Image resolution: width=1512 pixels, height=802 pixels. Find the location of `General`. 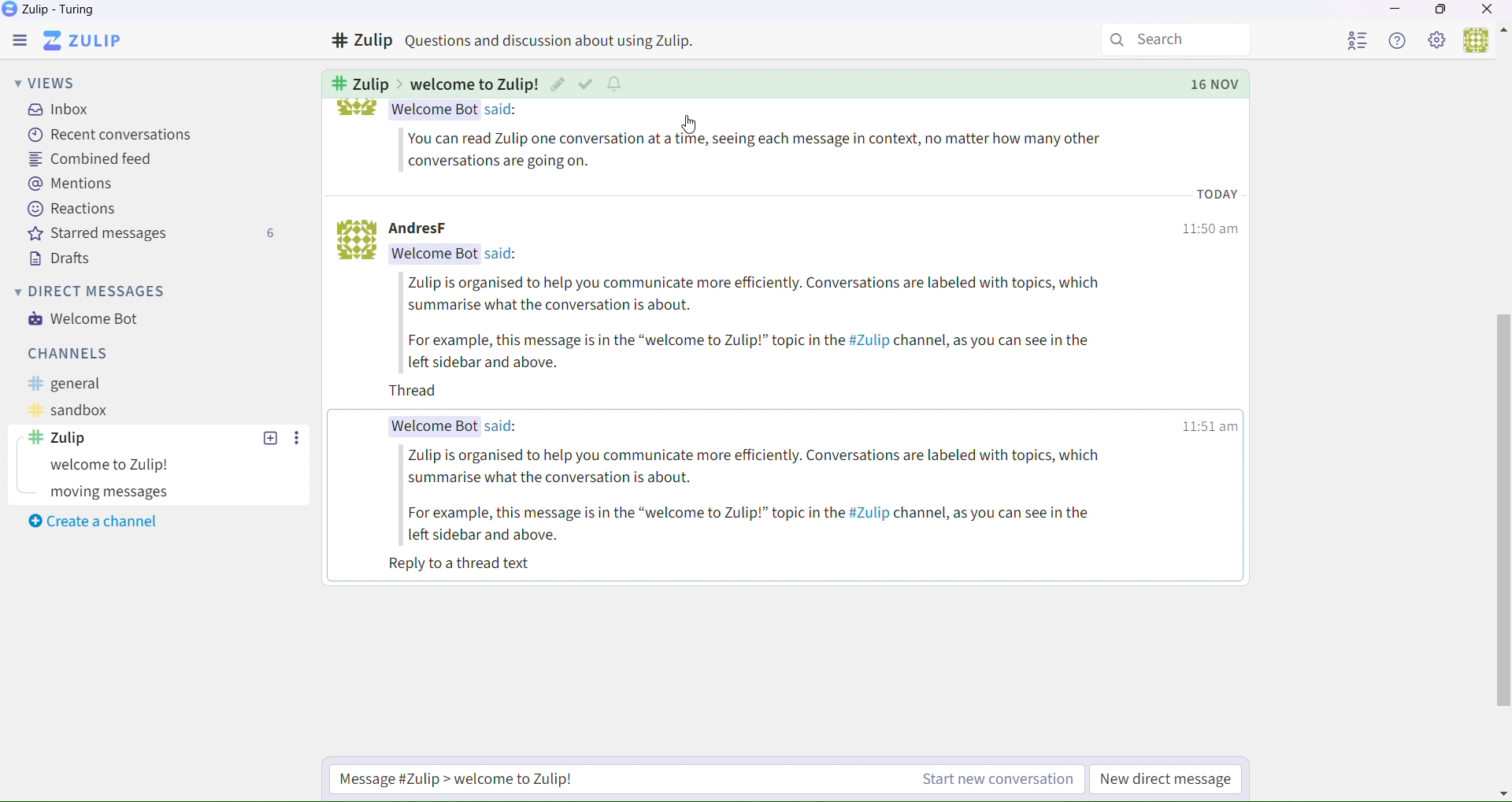

General is located at coordinates (79, 384).